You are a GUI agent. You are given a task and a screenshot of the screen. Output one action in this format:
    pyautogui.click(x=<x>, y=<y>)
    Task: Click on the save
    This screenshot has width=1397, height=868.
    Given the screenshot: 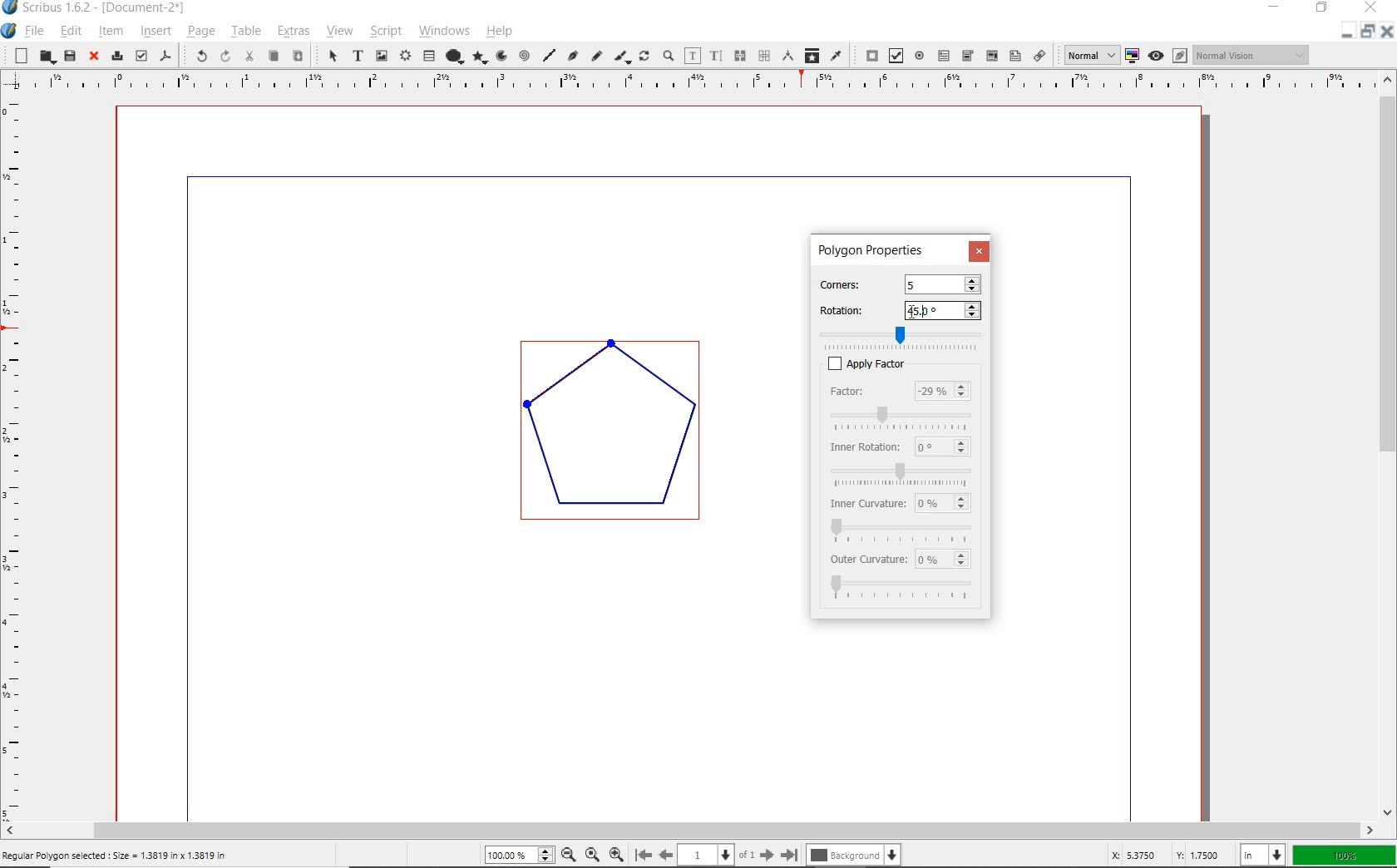 What is the action you would take?
    pyautogui.click(x=69, y=55)
    